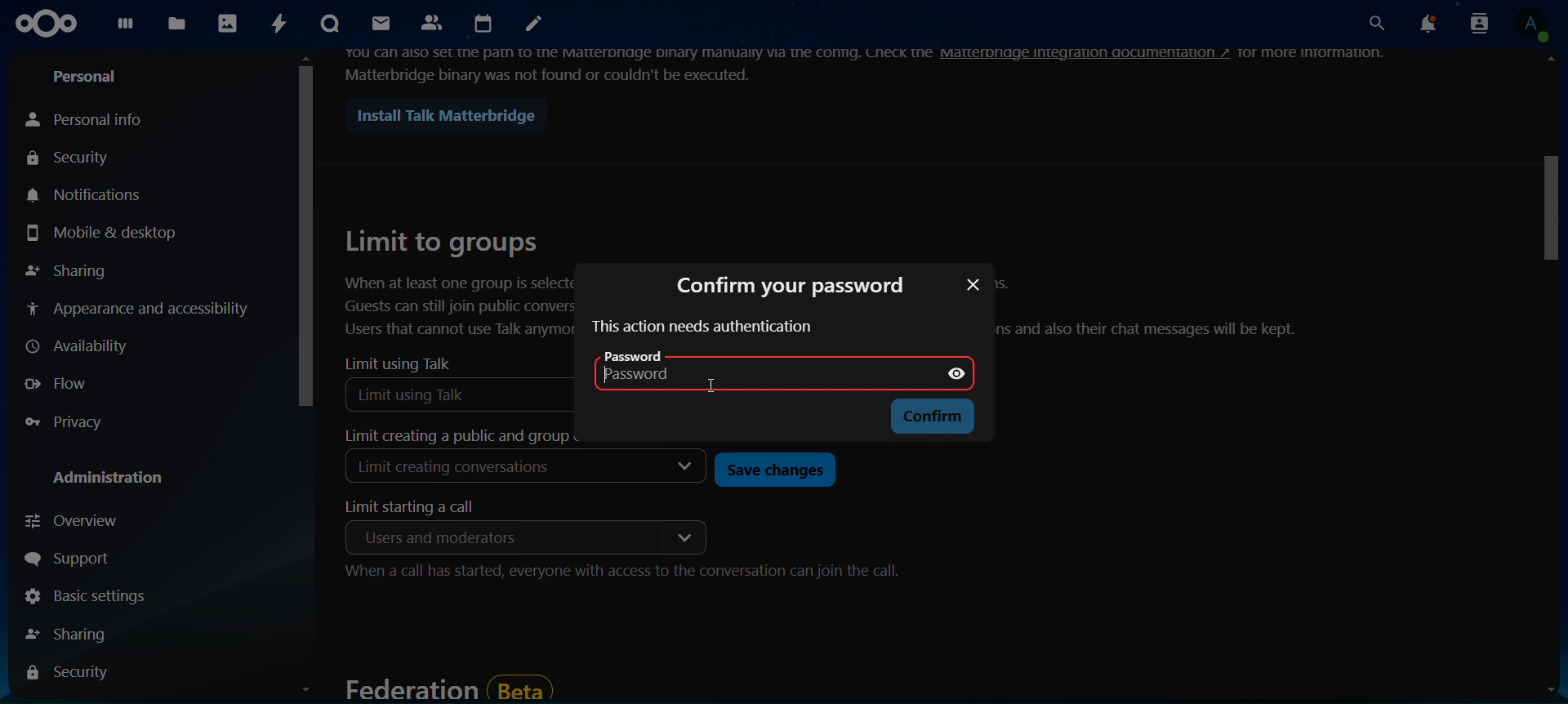 The image size is (1568, 704). I want to click on view profile, so click(1530, 24).